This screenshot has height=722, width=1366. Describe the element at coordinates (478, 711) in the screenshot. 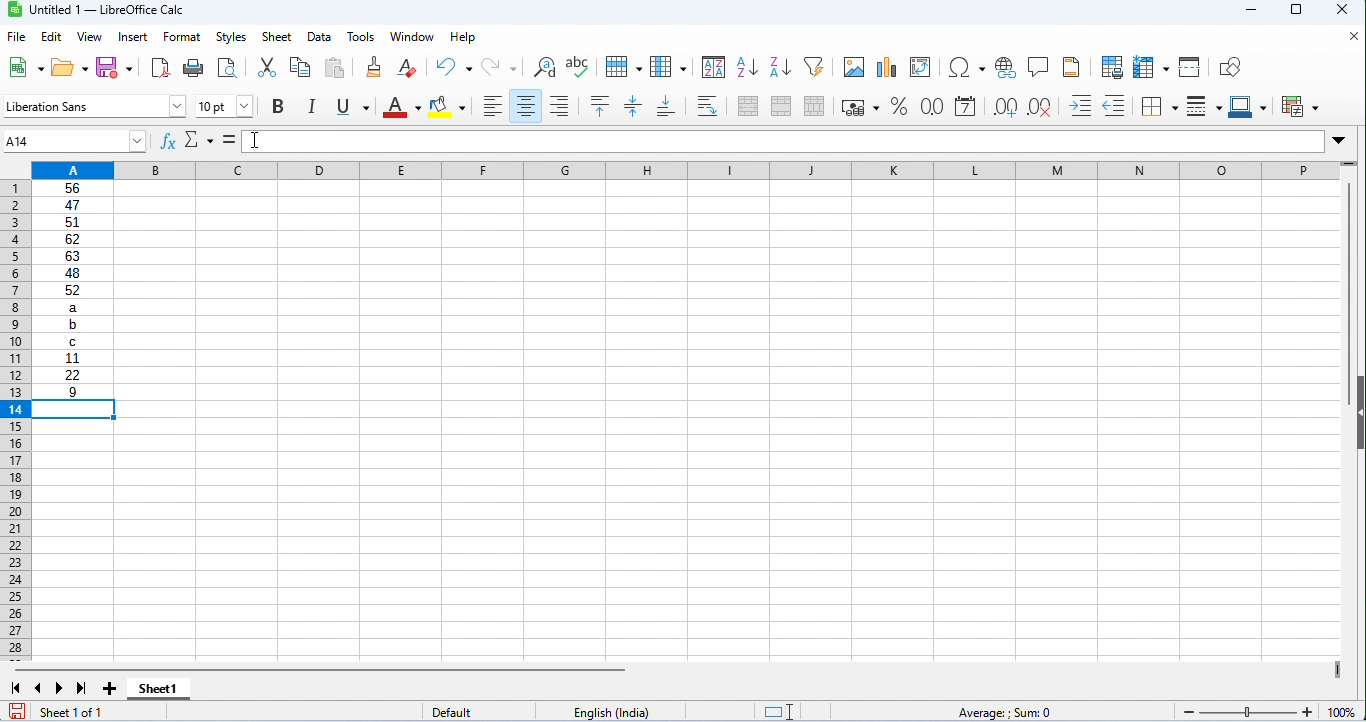

I see `default` at that location.